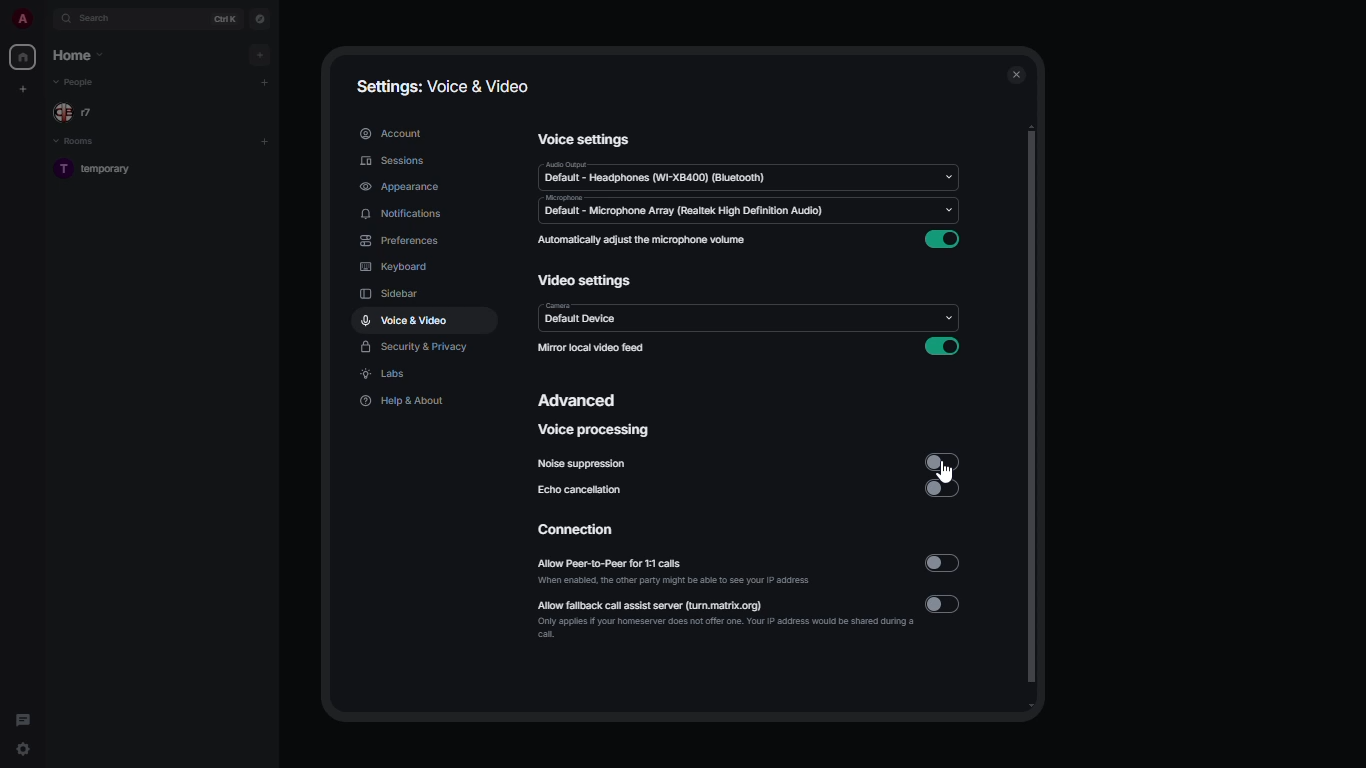 This screenshot has height=768, width=1366. What do you see at coordinates (683, 207) in the screenshot?
I see `microphone default` at bounding box center [683, 207].